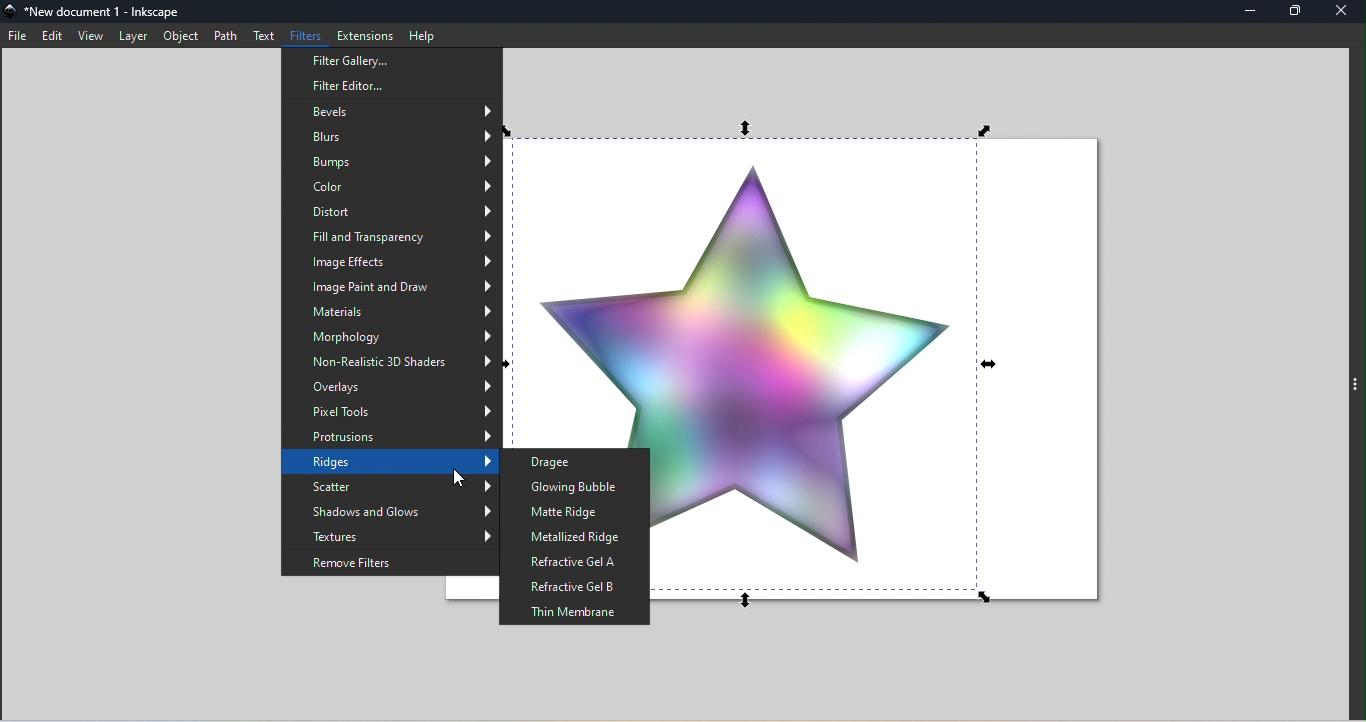 The width and height of the screenshot is (1366, 722). I want to click on Refractive Gel A, so click(577, 562).